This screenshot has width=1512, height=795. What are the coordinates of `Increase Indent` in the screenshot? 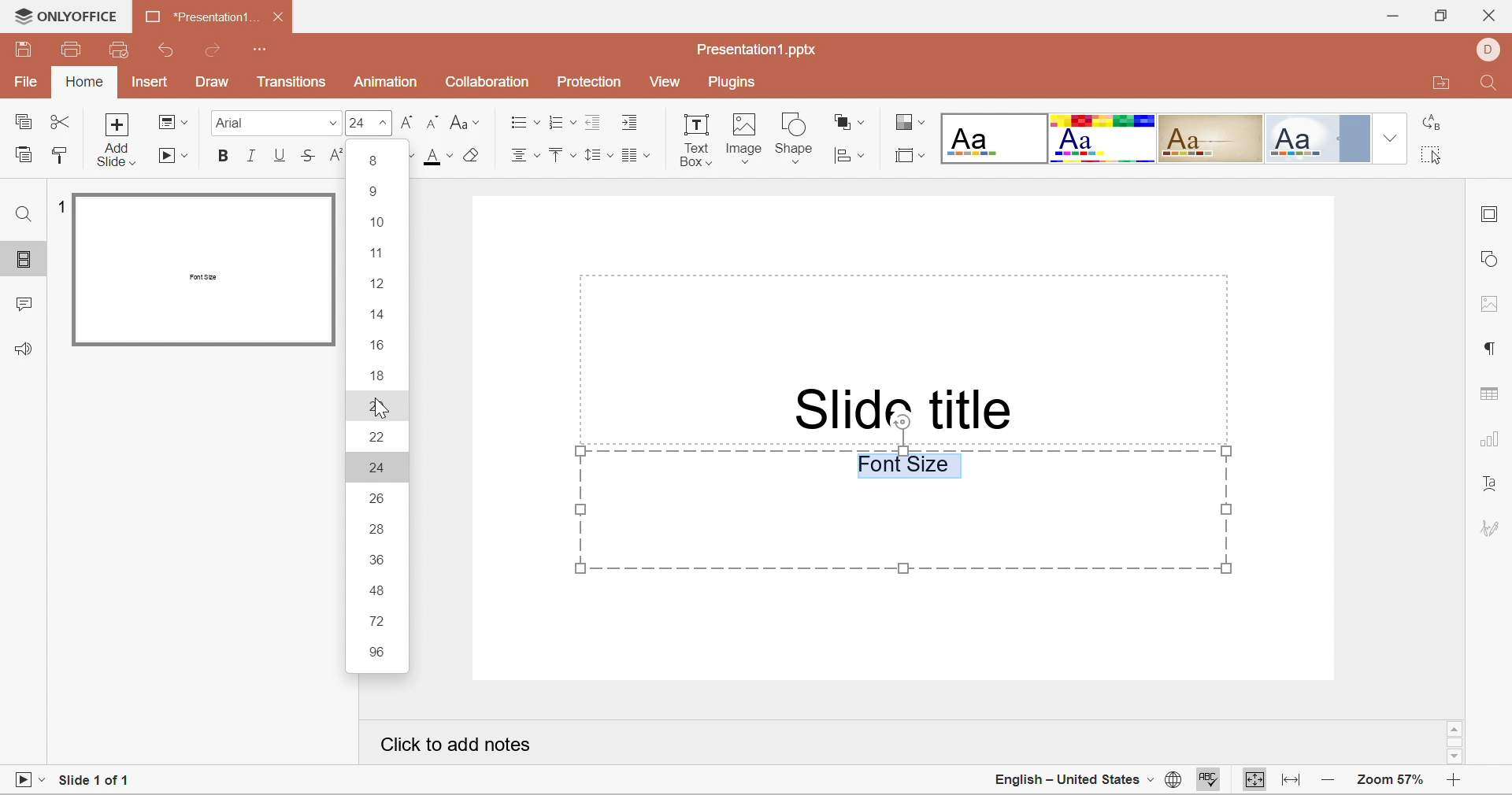 It's located at (632, 124).